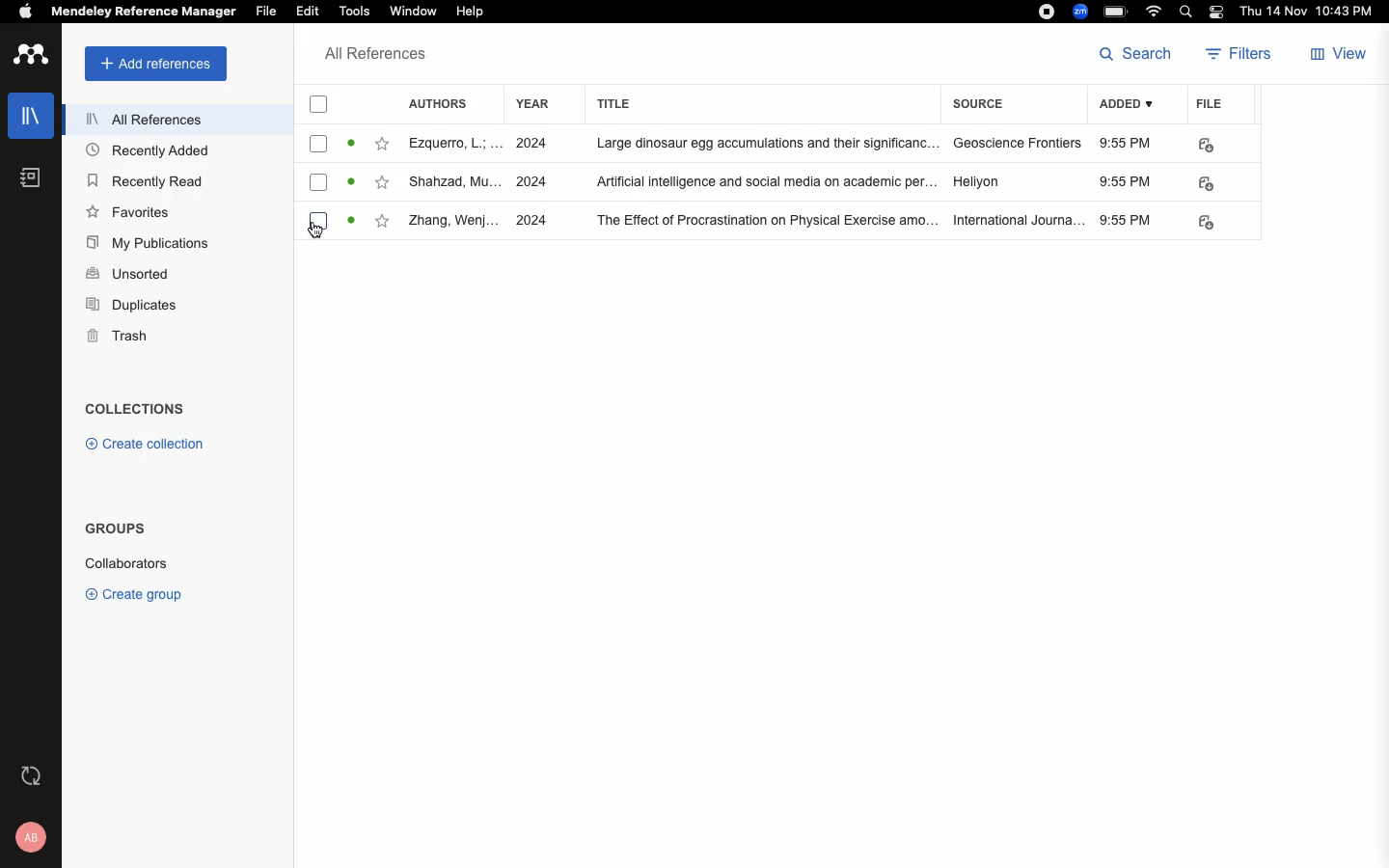 The image size is (1389, 868). What do you see at coordinates (29, 177) in the screenshot?
I see `Notebook` at bounding box center [29, 177].